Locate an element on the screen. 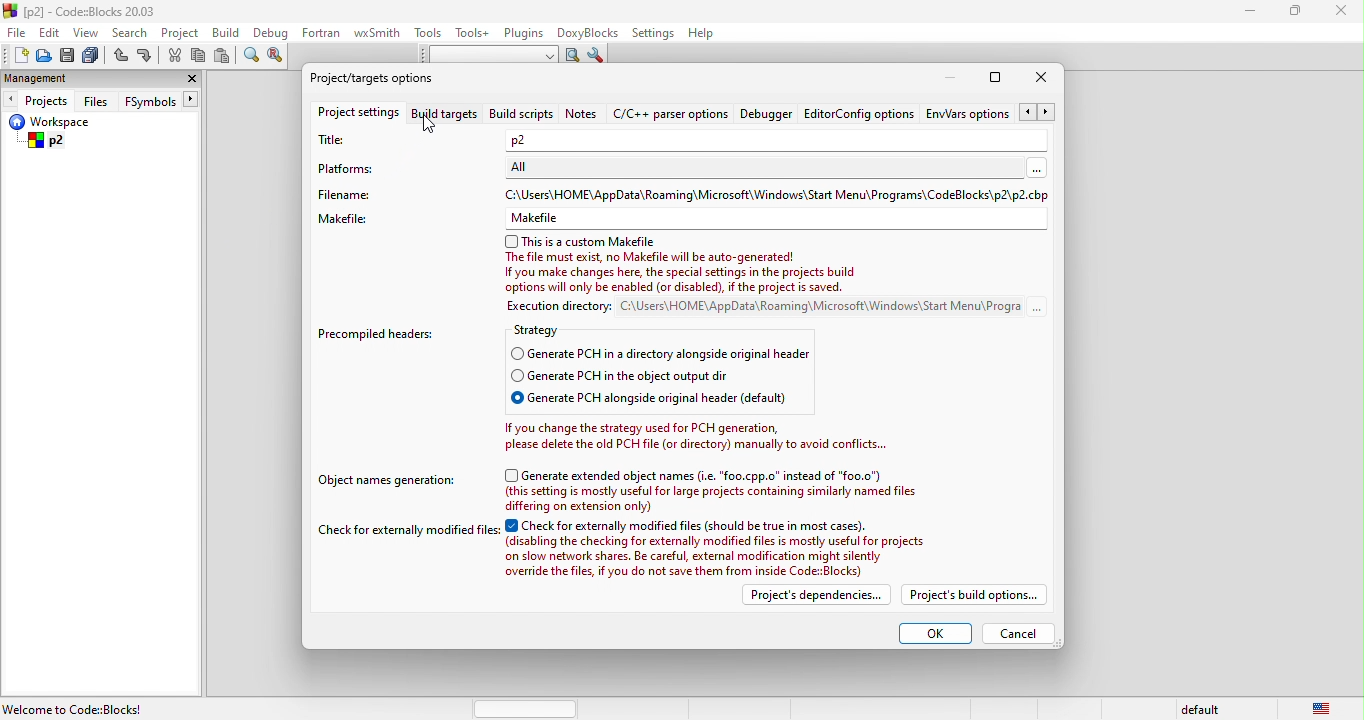 The image size is (1364, 720). (this setting is mostly useful for large projects containing similarly named files
differing on extension only) is located at coordinates (731, 500).